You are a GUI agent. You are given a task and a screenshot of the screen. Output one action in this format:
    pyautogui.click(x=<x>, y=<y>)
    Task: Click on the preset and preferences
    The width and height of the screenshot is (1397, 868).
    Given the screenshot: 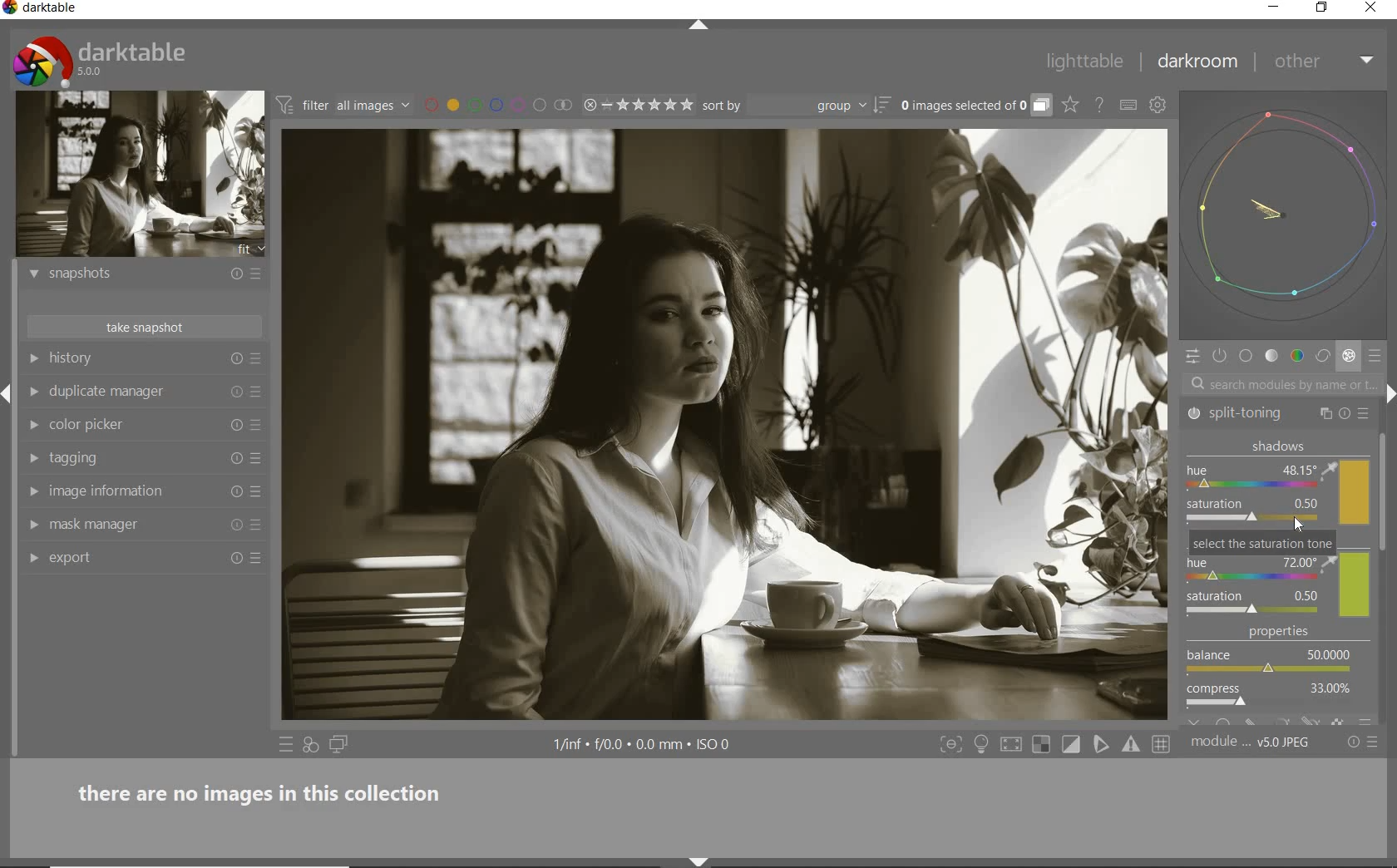 What is the action you would take?
    pyautogui.click(x=259, y=459)
    